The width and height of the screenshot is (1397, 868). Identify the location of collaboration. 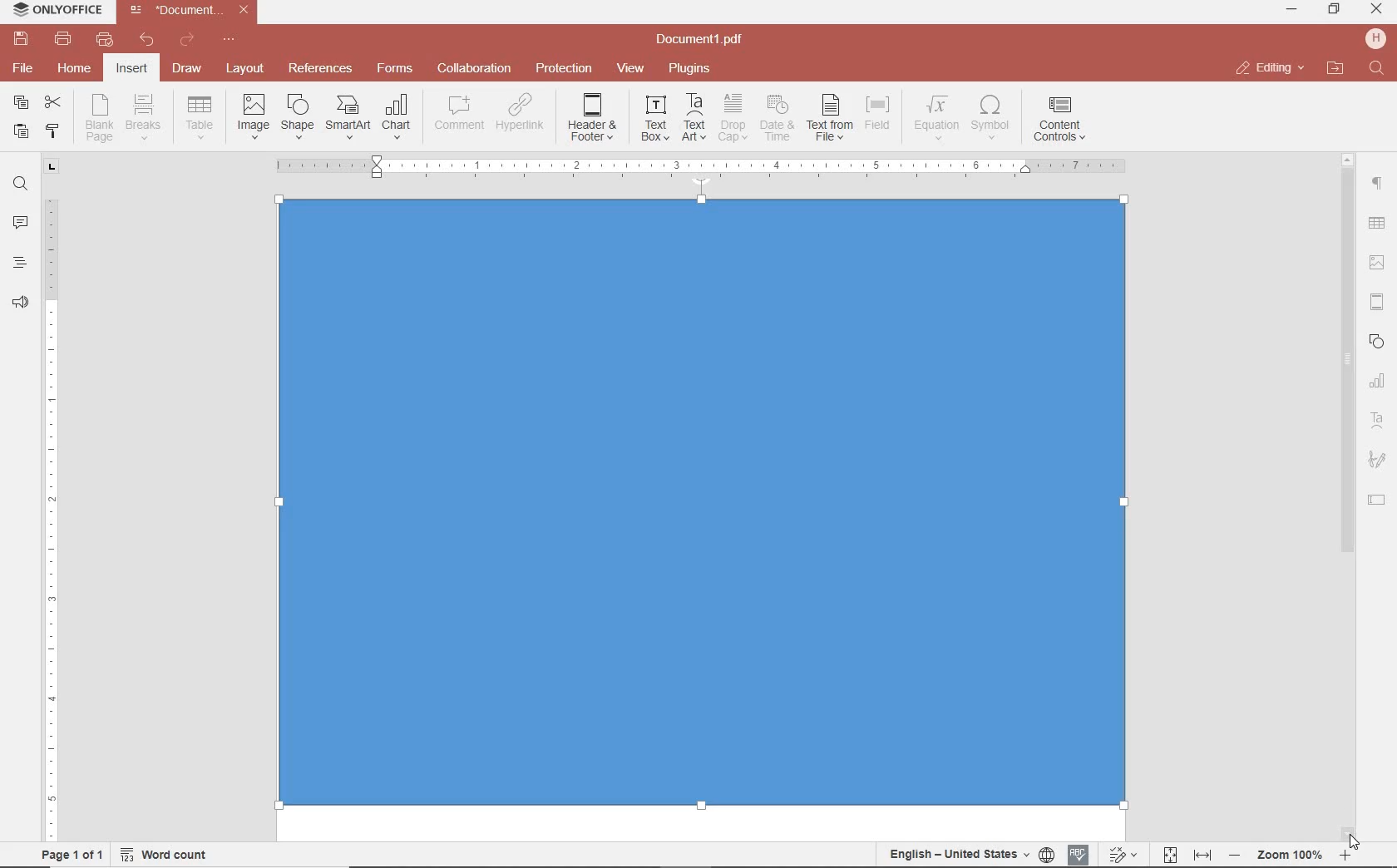
(474, 69).